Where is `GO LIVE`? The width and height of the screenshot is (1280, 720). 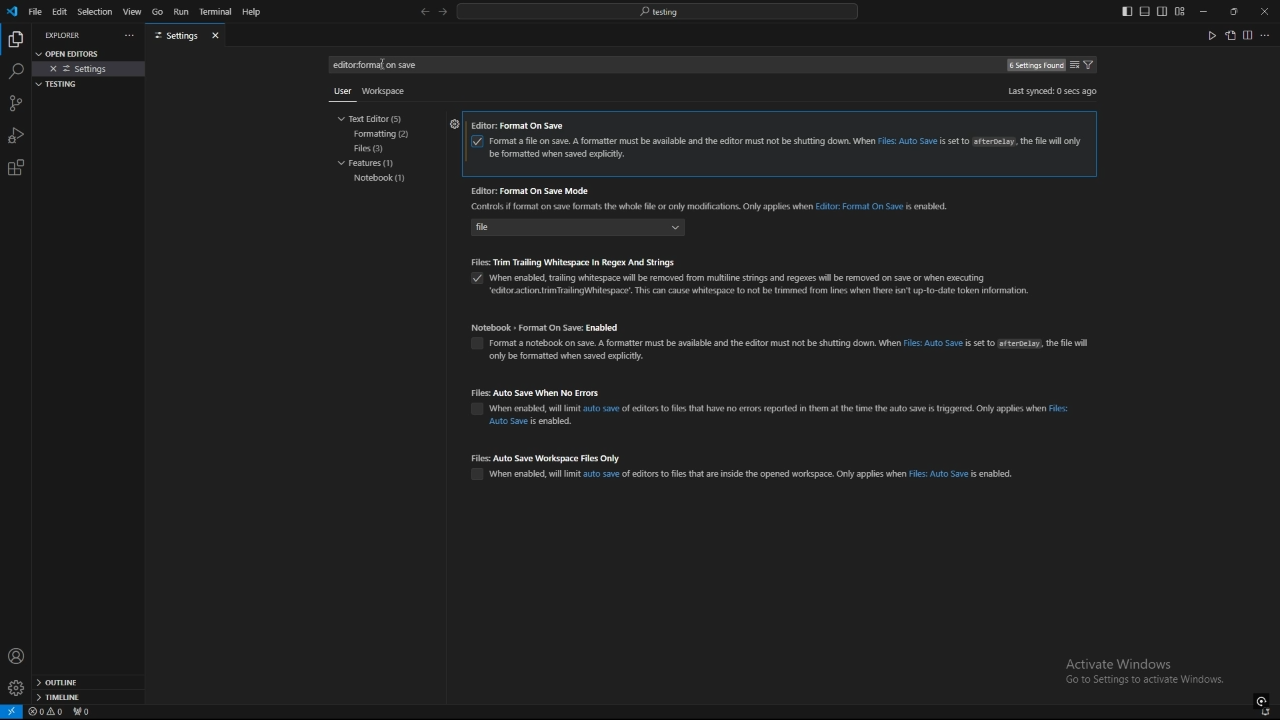
GO LIVE is located at coordinates (1262, 700).